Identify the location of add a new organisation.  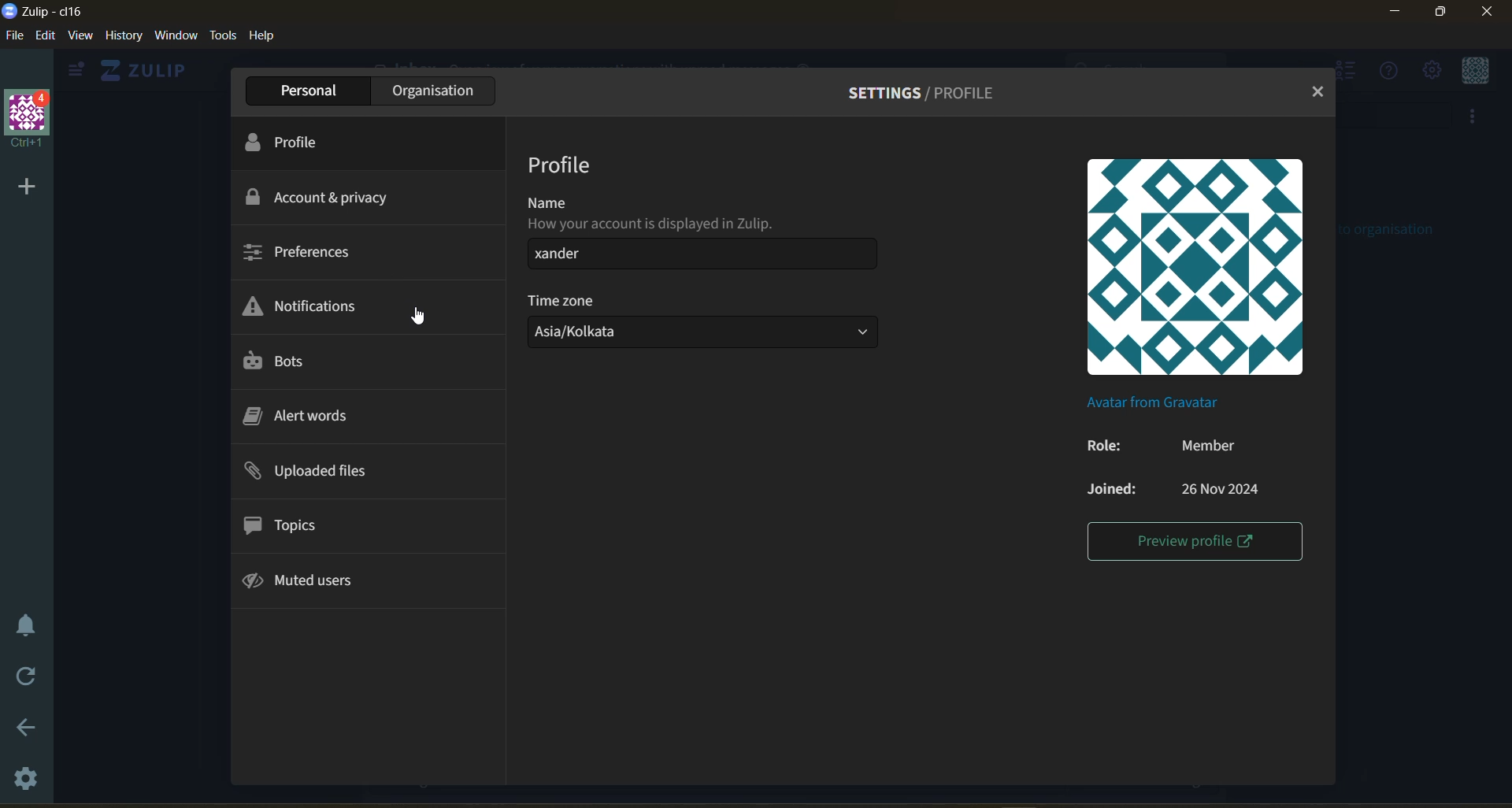
(25, 187).